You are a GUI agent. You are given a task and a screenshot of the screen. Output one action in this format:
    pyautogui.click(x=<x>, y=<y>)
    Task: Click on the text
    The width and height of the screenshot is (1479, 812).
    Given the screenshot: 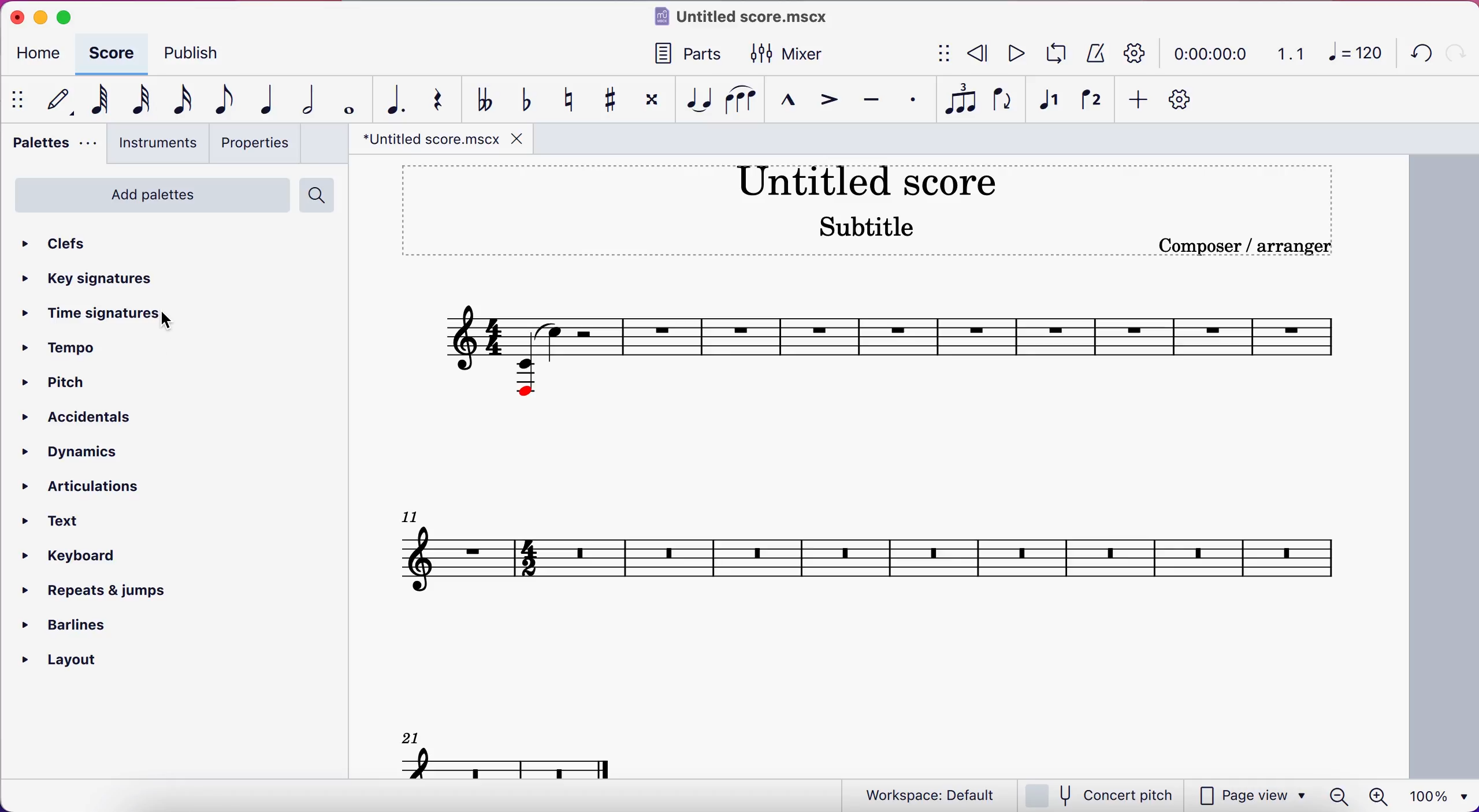 What is the action you would take?
    pyautogui.click(x=57, y=522)
    